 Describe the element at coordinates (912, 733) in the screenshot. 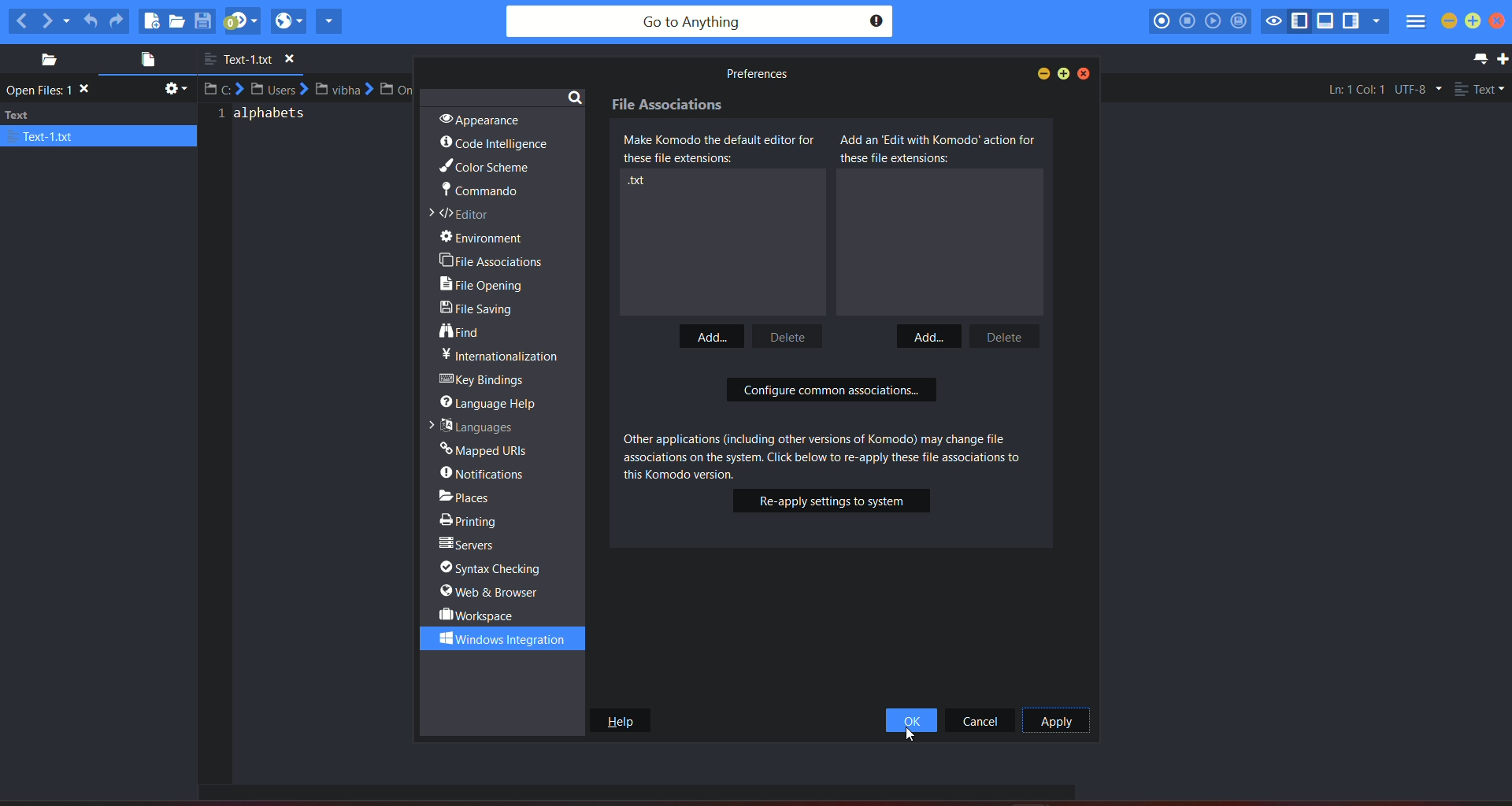

I see `Cursor` at that location.